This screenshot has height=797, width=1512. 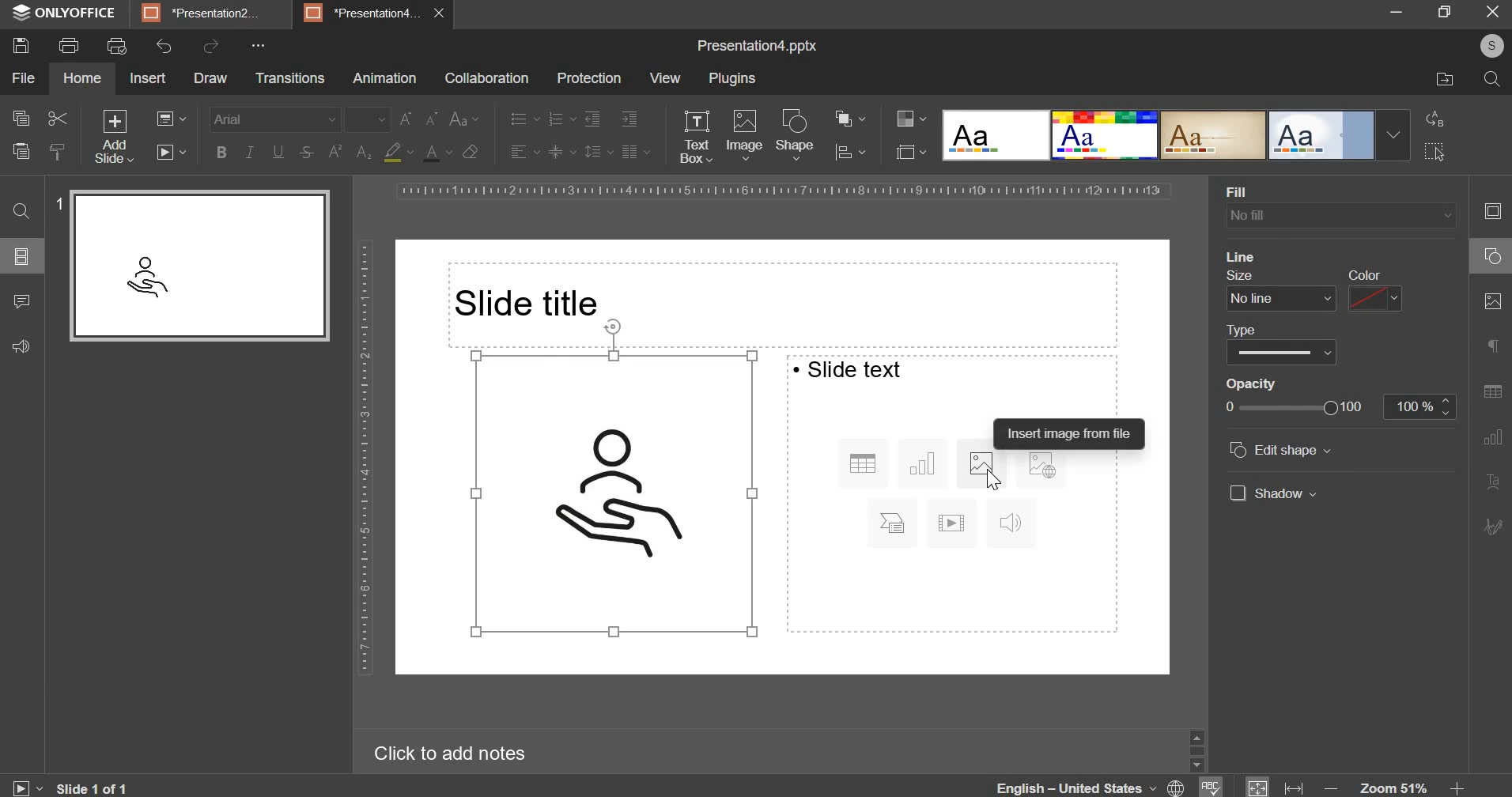 I want to click on right side segment, so click(x=954, y=540).